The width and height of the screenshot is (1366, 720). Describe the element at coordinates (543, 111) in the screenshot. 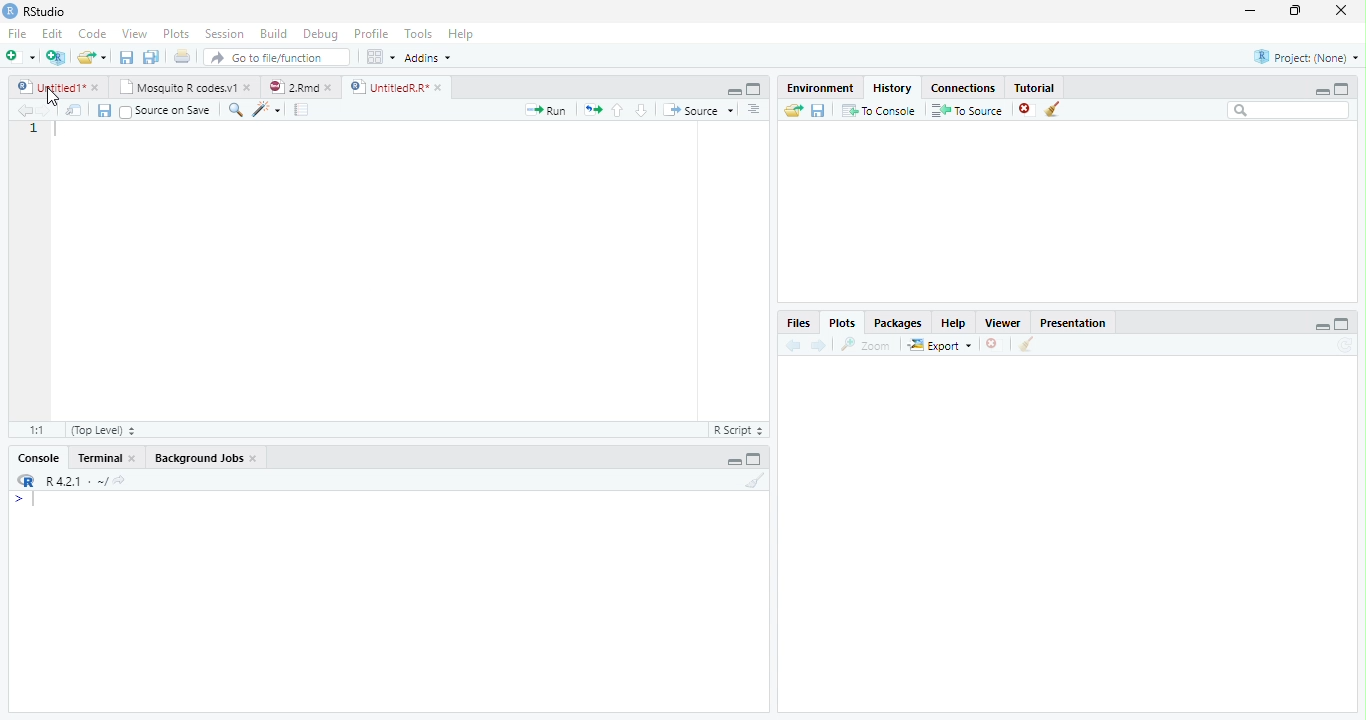

I see `Run` at that location.